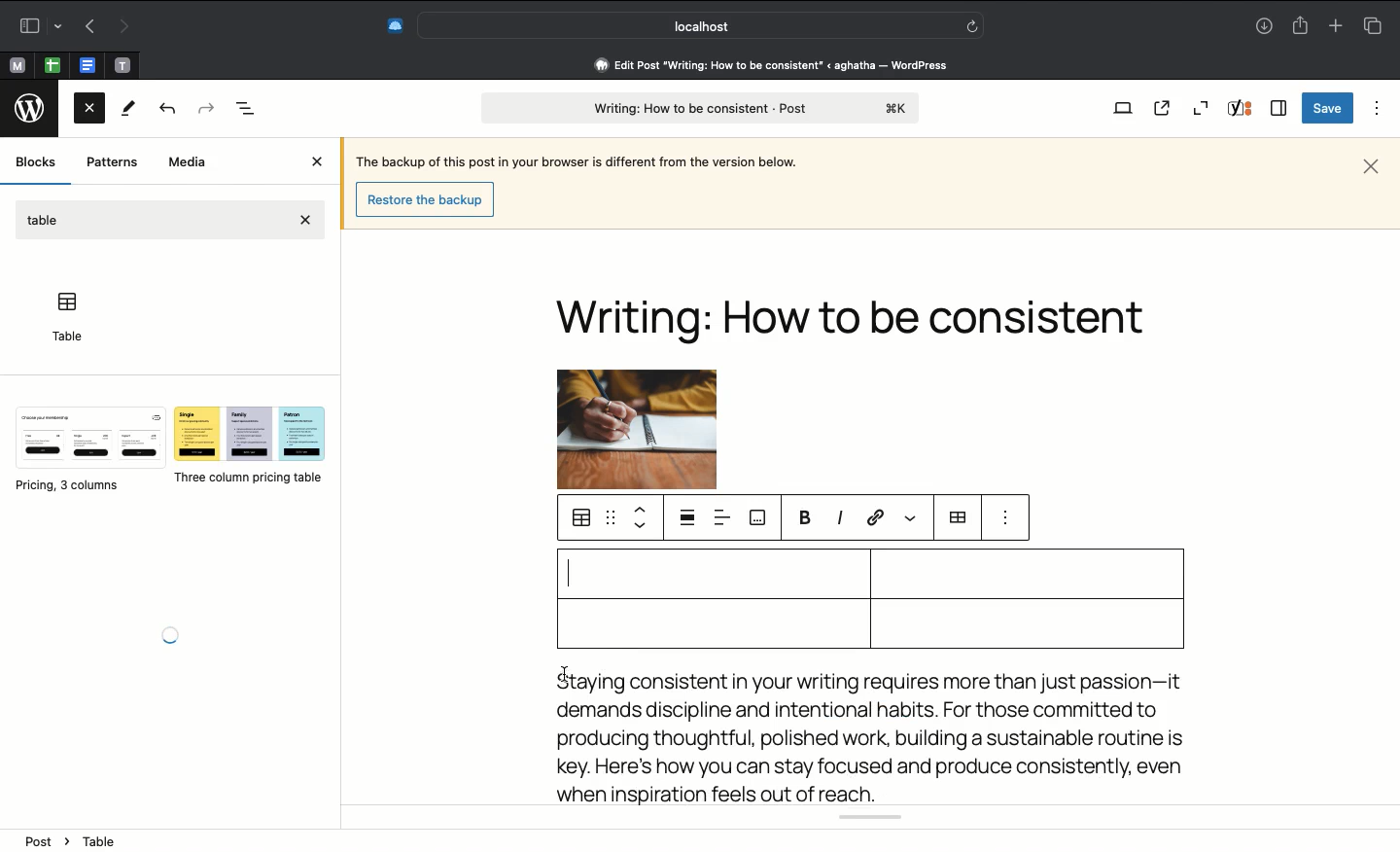 Image resolution: width=1400 pixels, height=852 pixels. What do you see at coordinates (1379, 109) in the screenshot?
I see `Options` at bounding box center [1379, 109].